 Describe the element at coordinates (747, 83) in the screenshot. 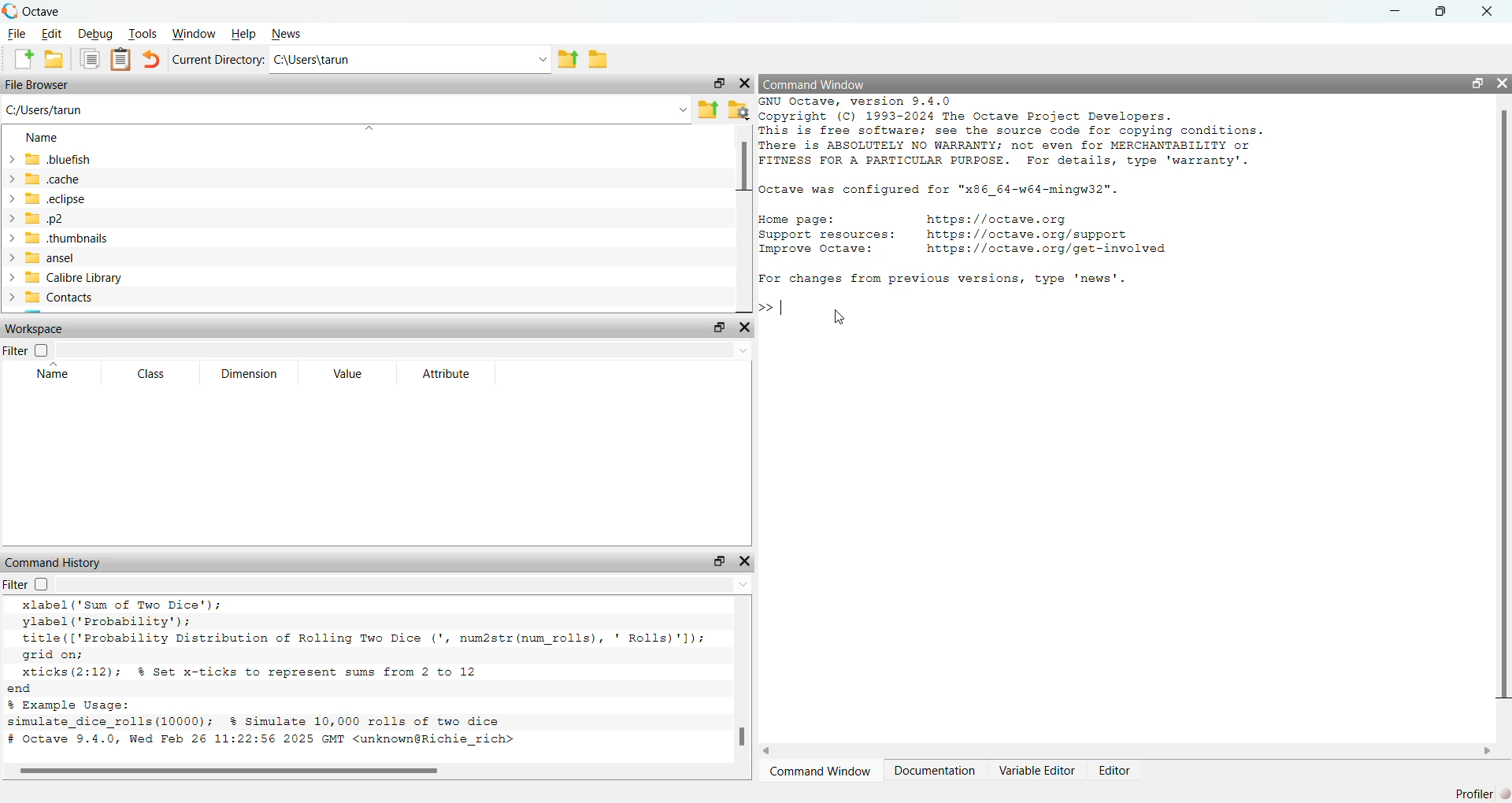

I see `Close` at that location.